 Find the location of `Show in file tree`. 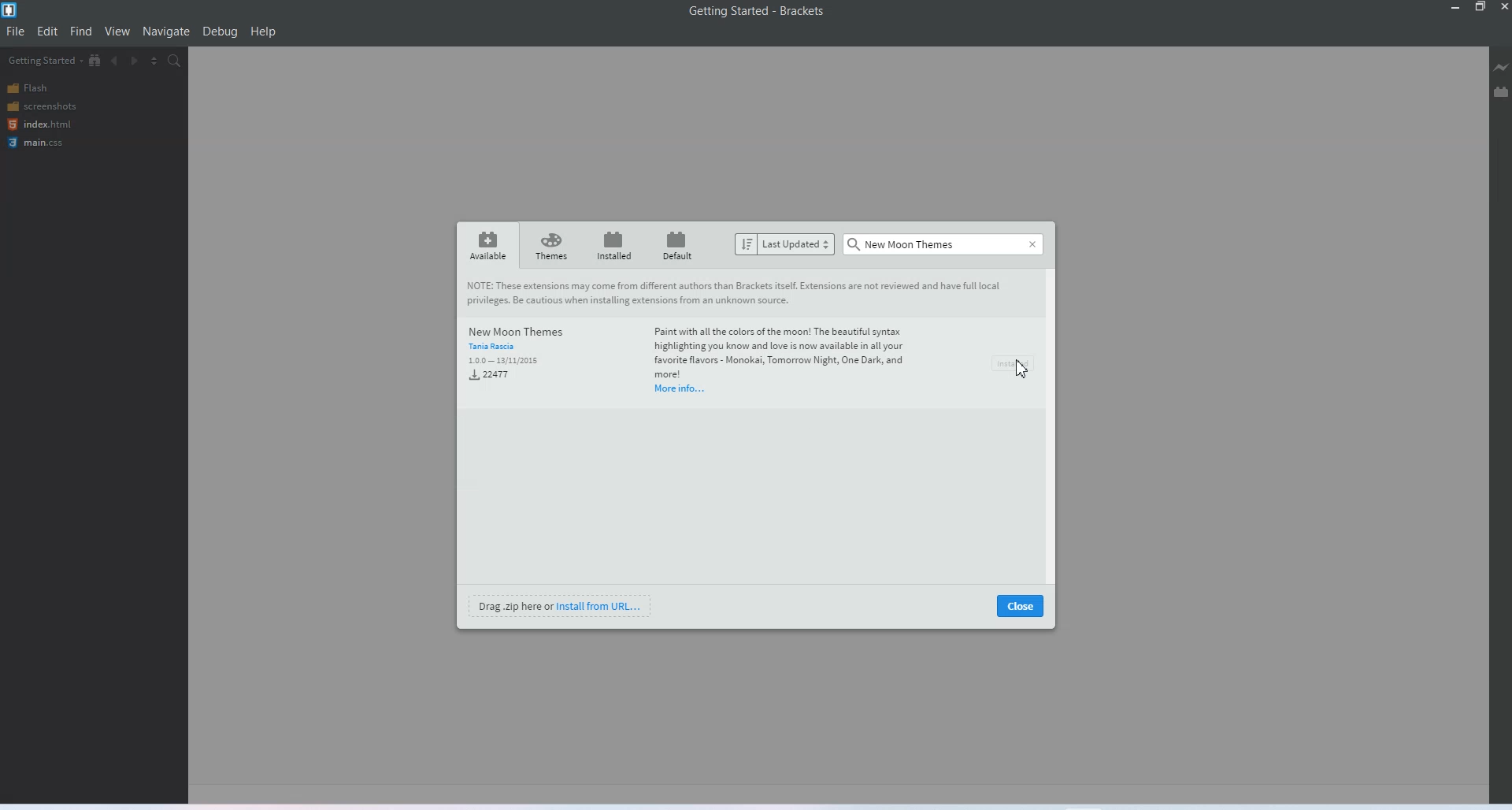

Show in file tree is located at coordinates (96, 60).